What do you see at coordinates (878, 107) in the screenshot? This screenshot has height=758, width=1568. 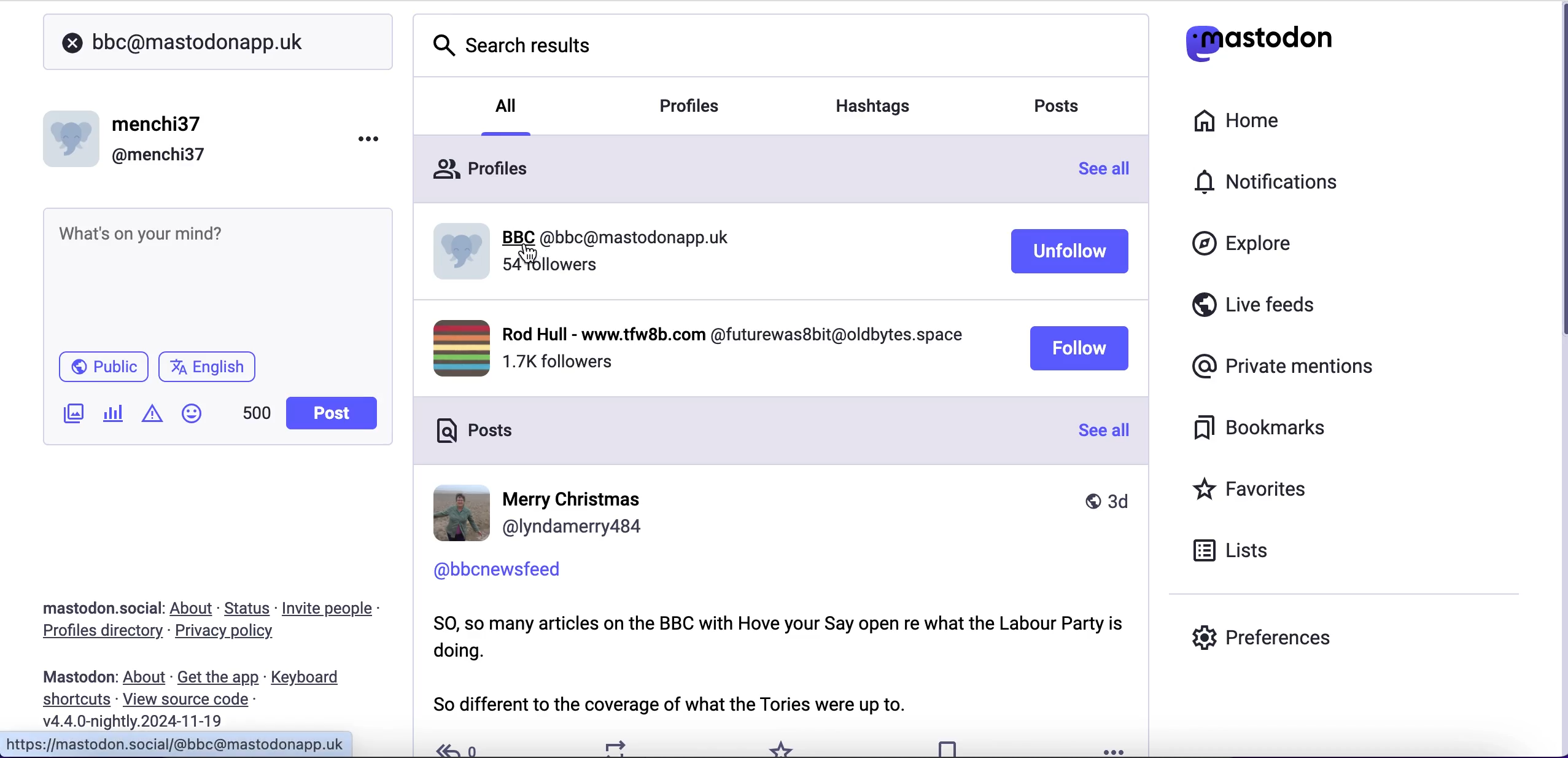 I see `hashtags` at bounding box center [878, 107].